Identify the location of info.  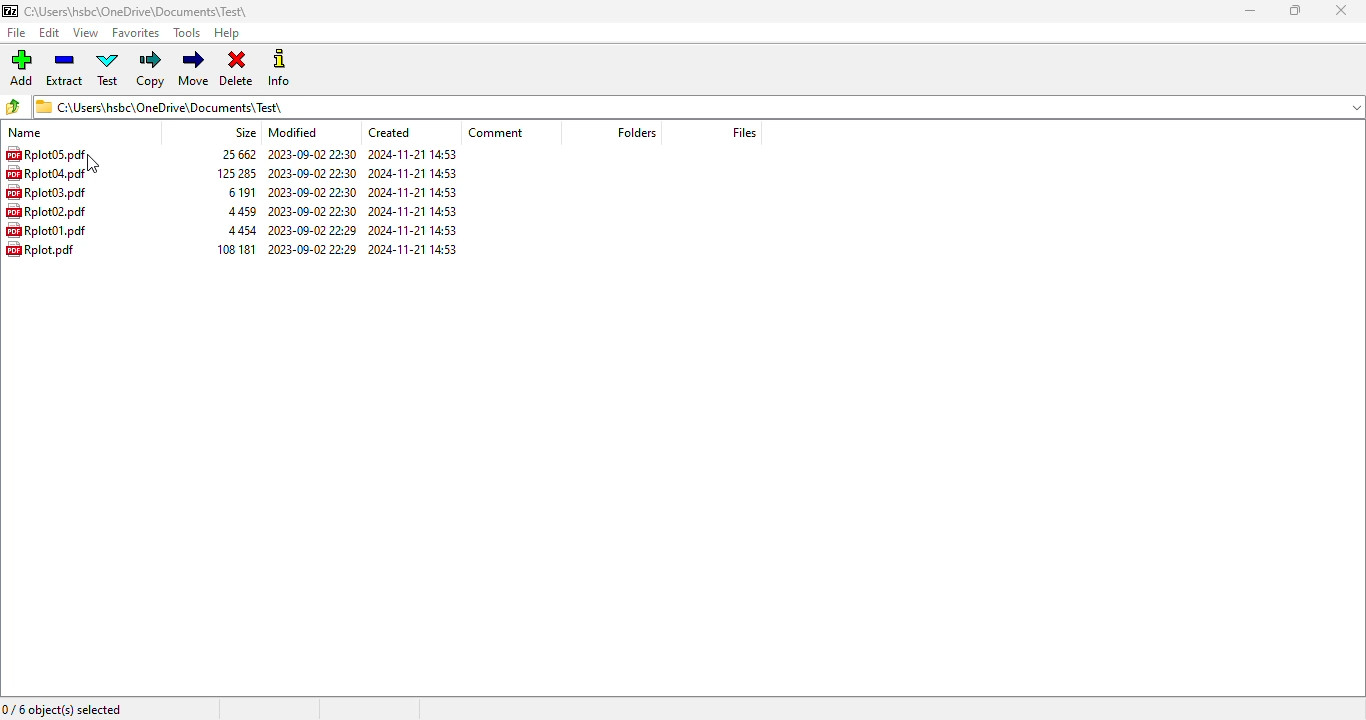
(281, 68).